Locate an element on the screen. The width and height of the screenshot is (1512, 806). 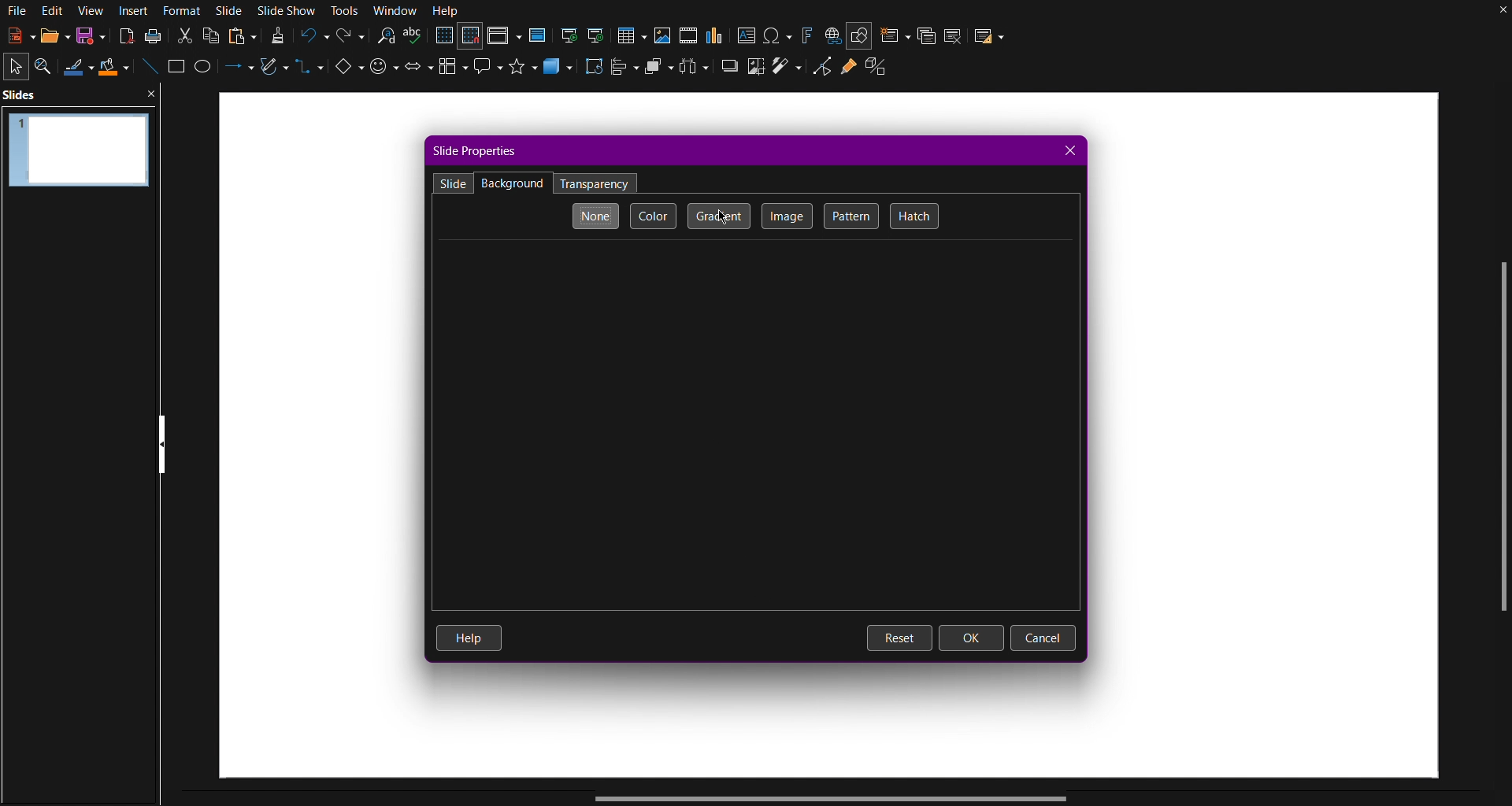
Undo is located at coordinates (313, 36).